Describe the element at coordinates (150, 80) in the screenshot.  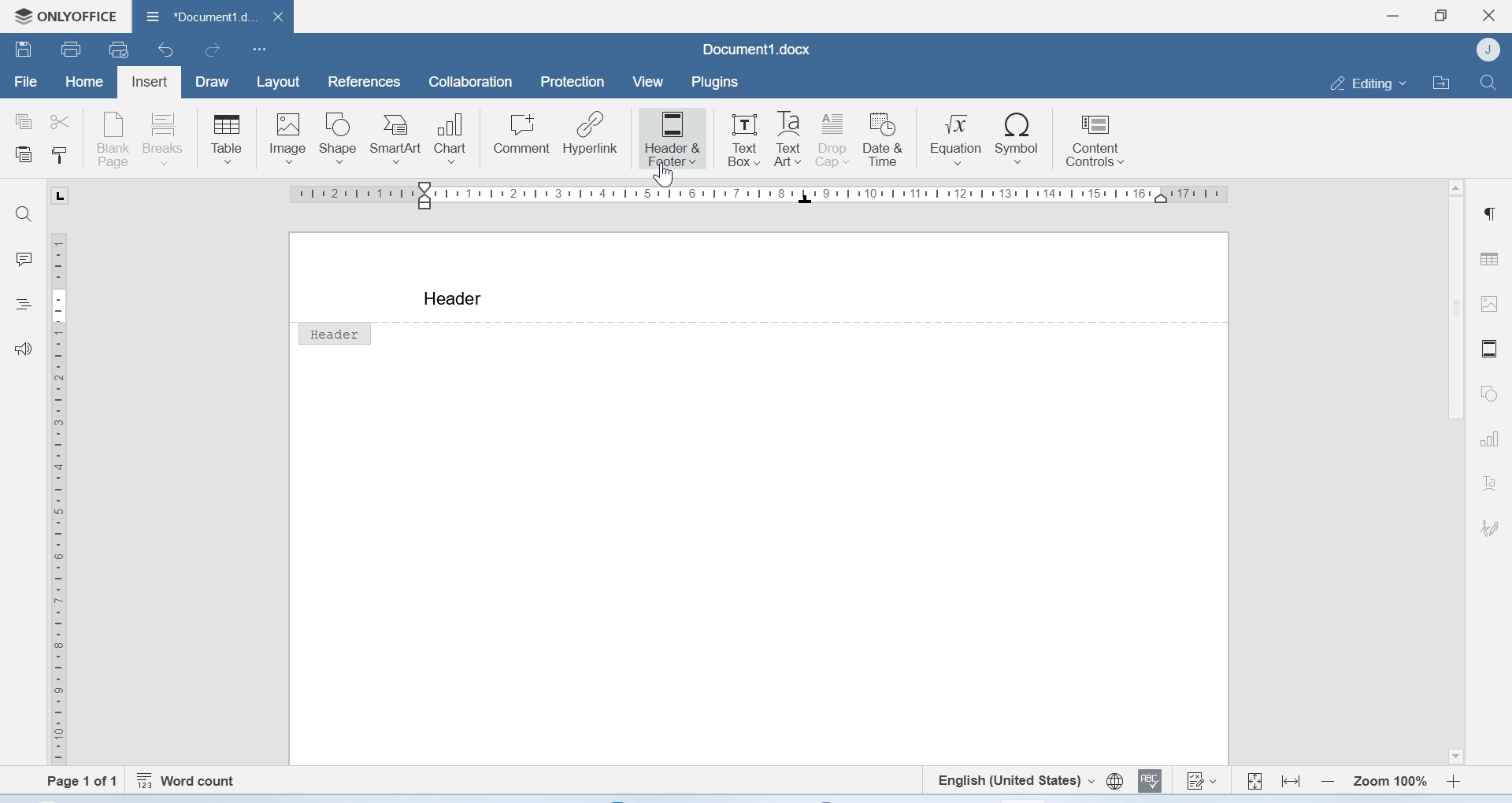
I see `Insert` at that location.